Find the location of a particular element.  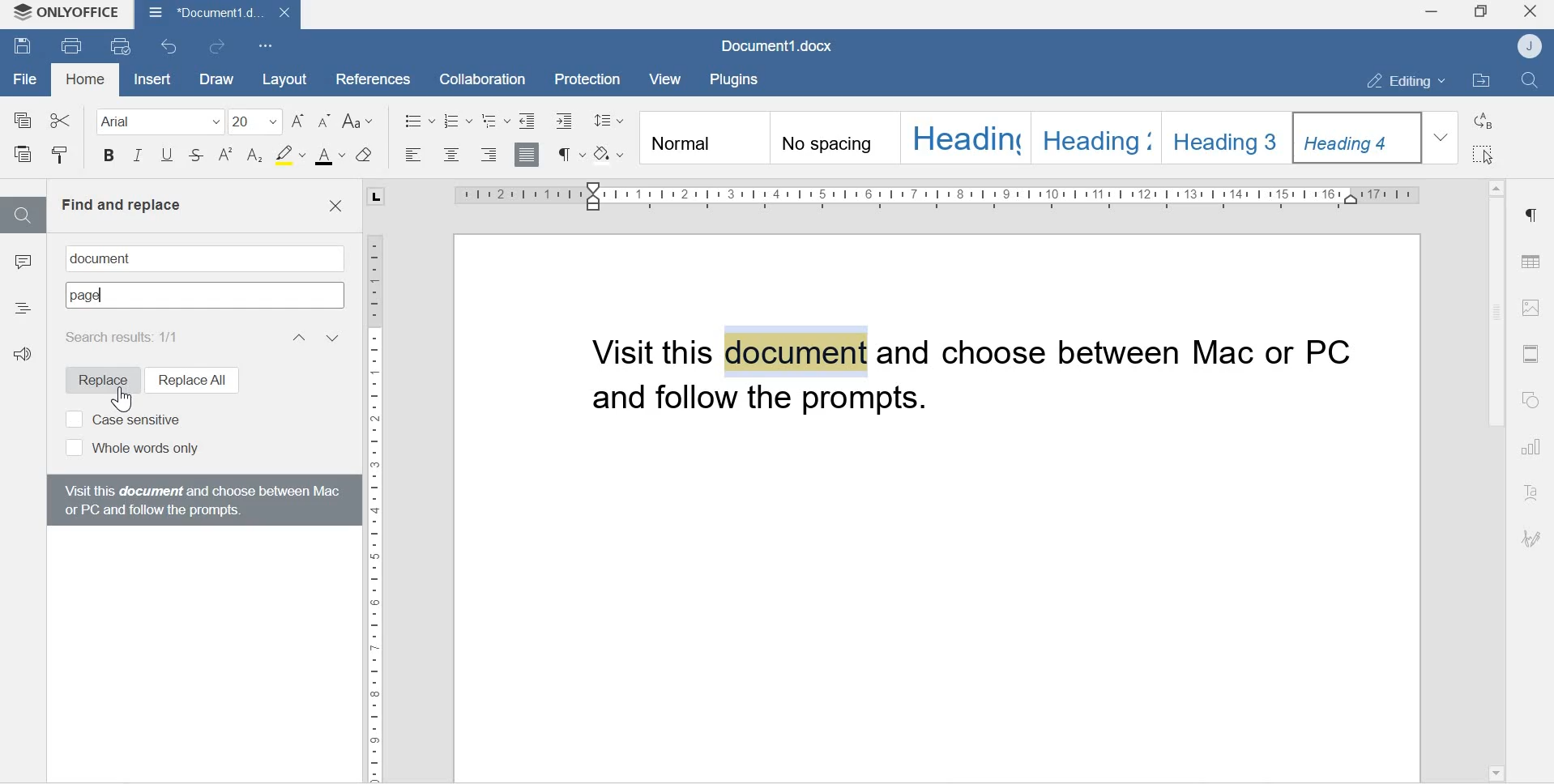

Cut is located at coordinates (60, 117).